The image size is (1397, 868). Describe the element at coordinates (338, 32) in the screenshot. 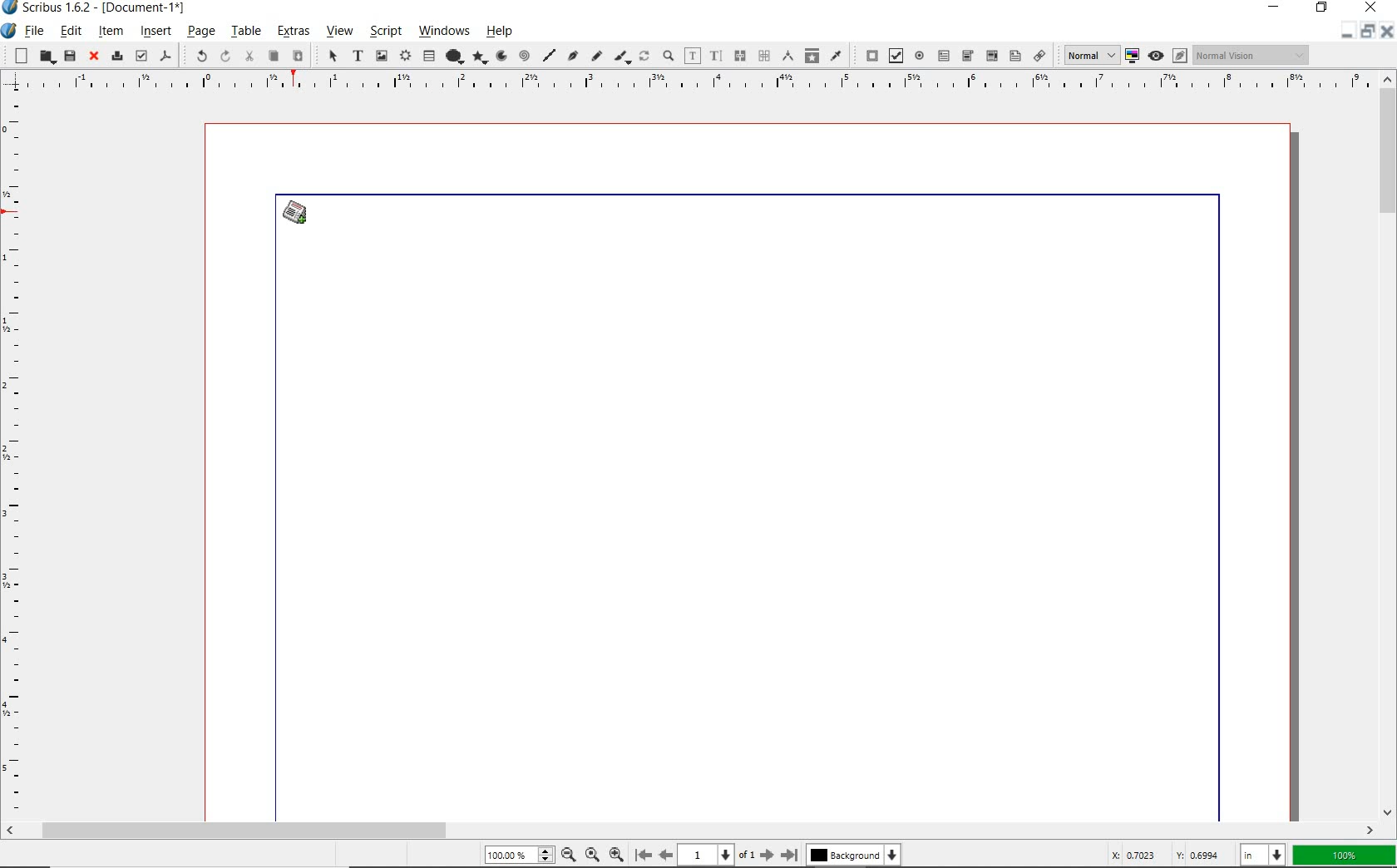

I see `view` at that location.